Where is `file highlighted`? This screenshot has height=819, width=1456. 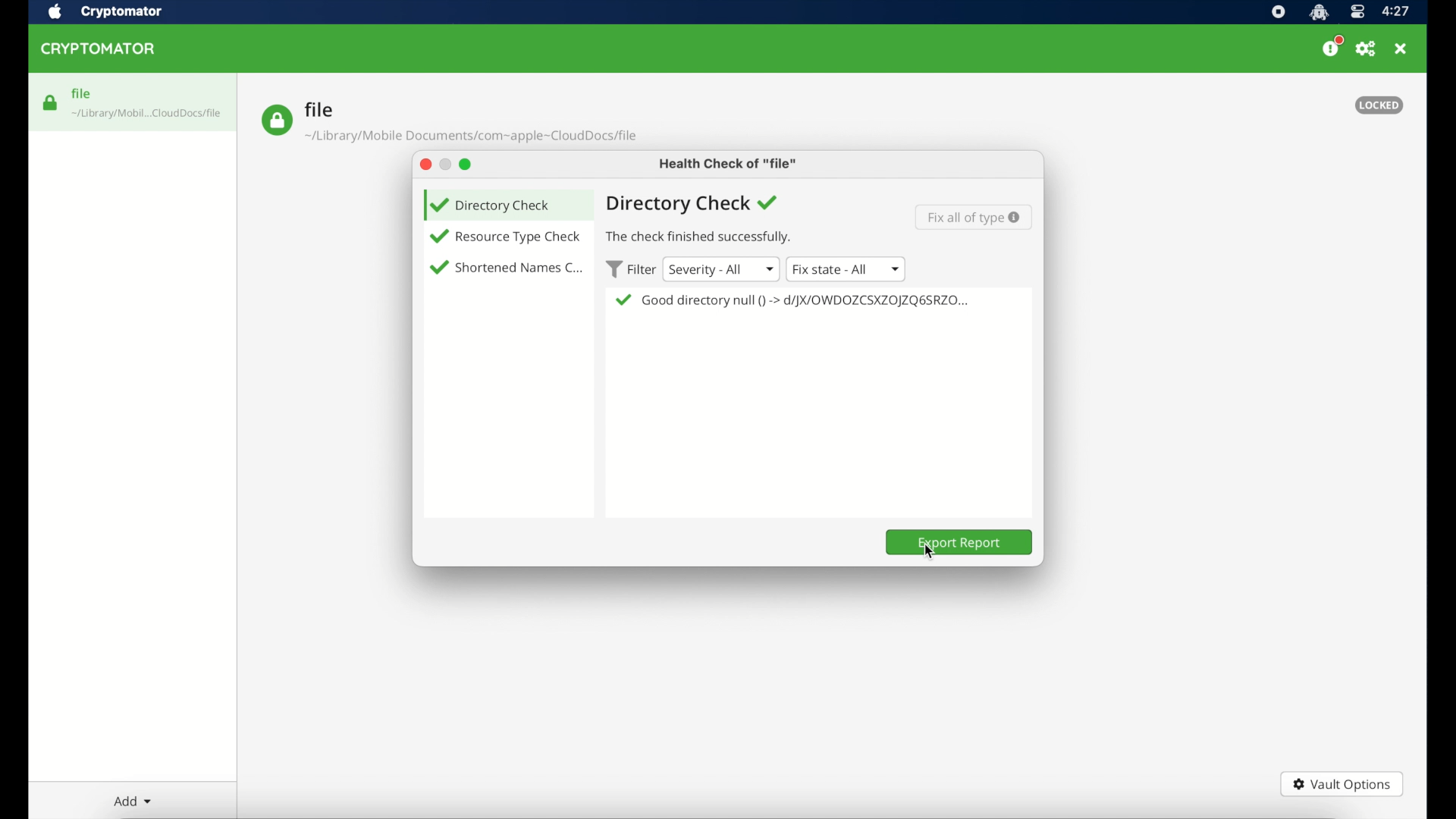
file highlighted is located at coordinates (133, 102).